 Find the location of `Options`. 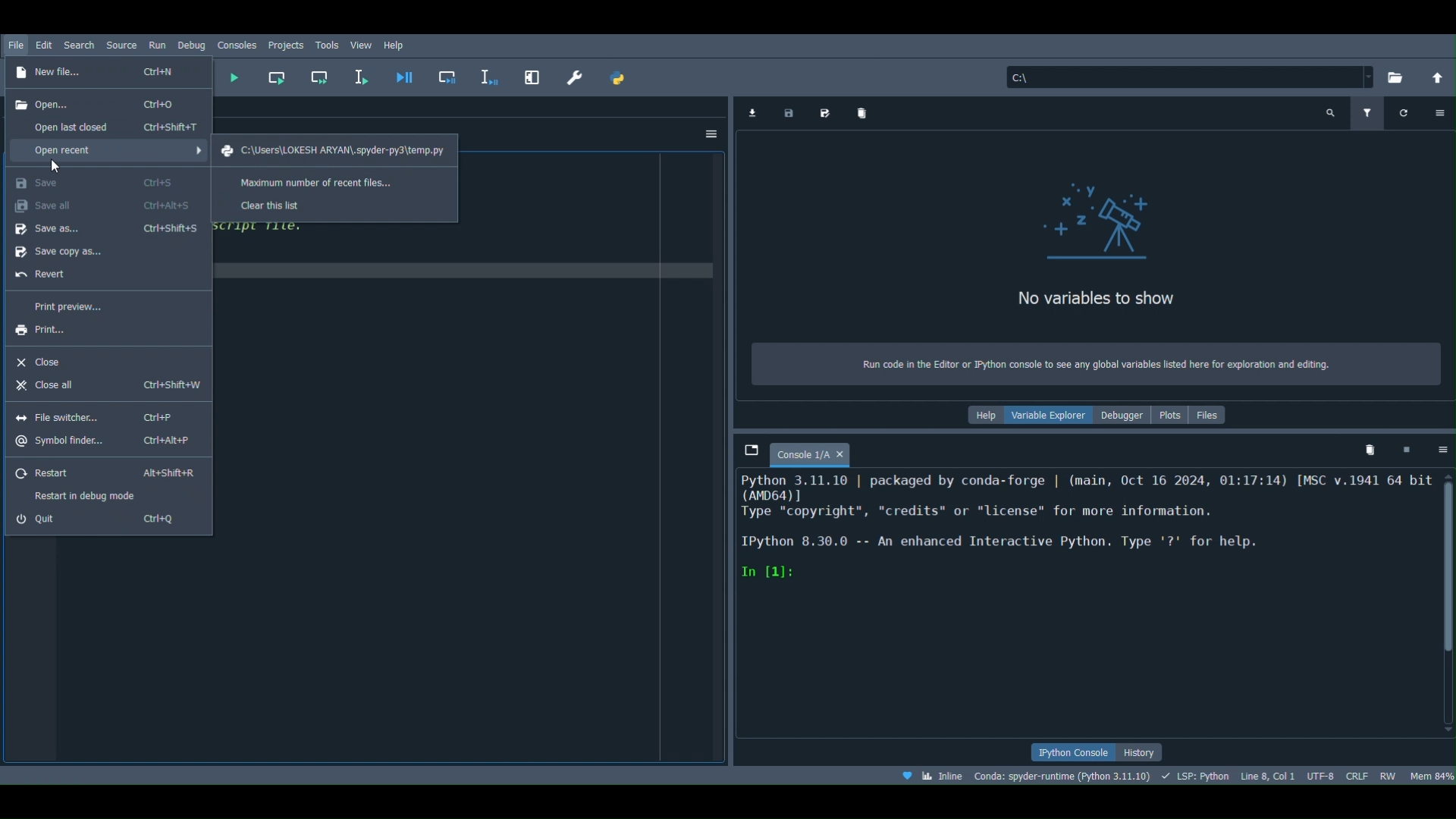

Options is located at coordinates (1439, 114).